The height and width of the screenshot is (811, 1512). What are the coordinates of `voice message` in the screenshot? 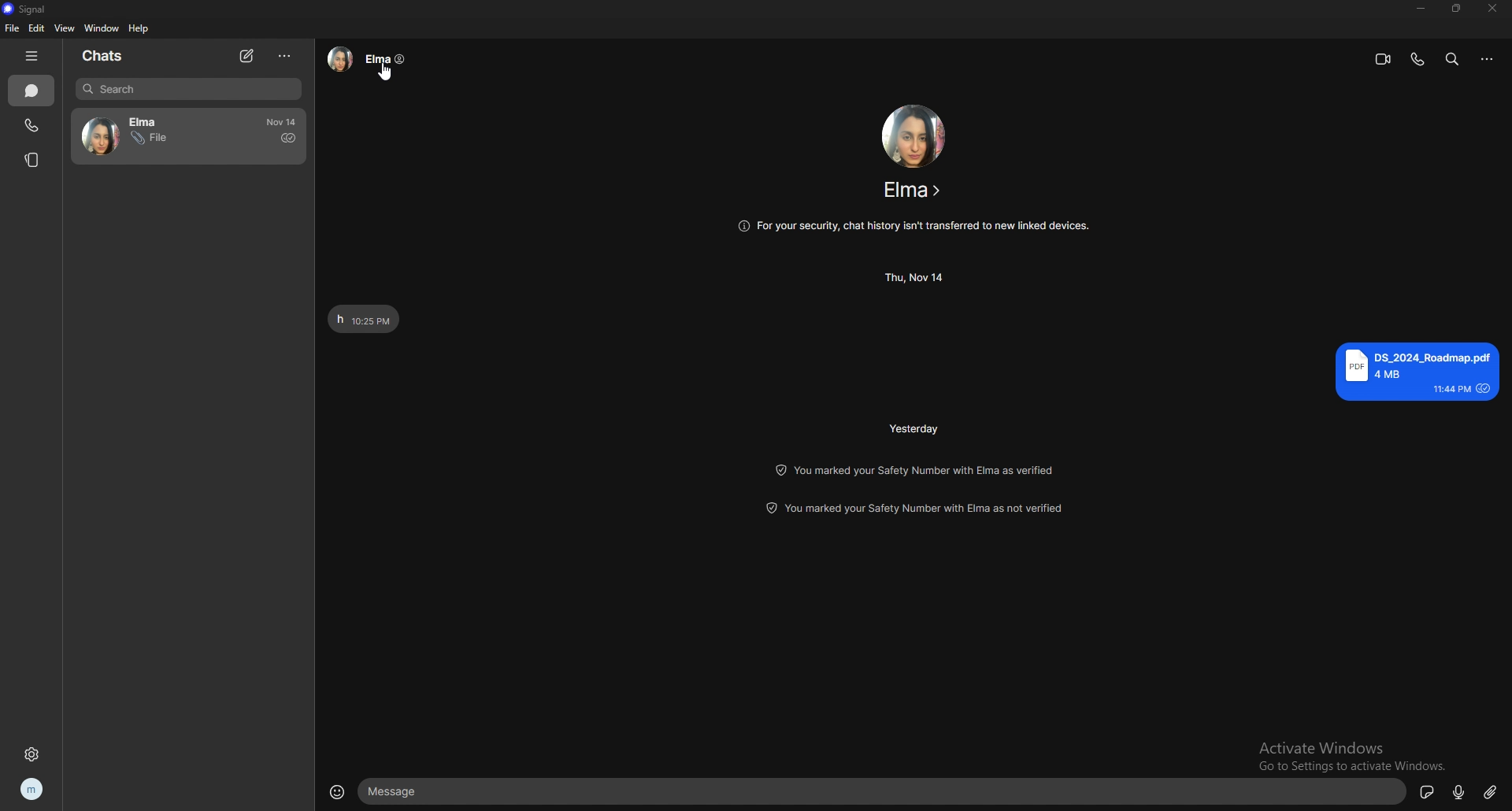 It's located at (1461, 791).